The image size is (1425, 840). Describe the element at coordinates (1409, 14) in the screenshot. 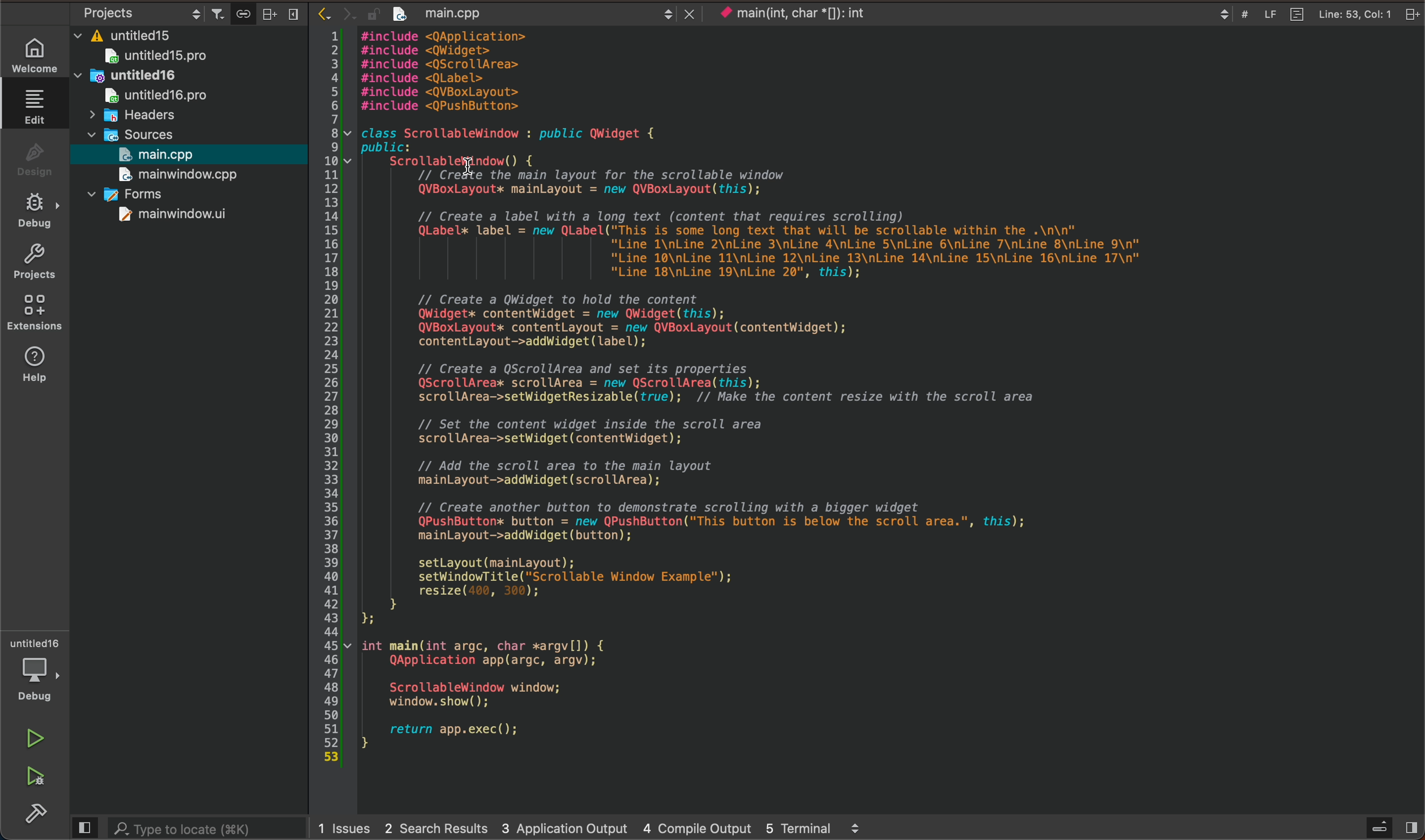

I see `close` at that location.